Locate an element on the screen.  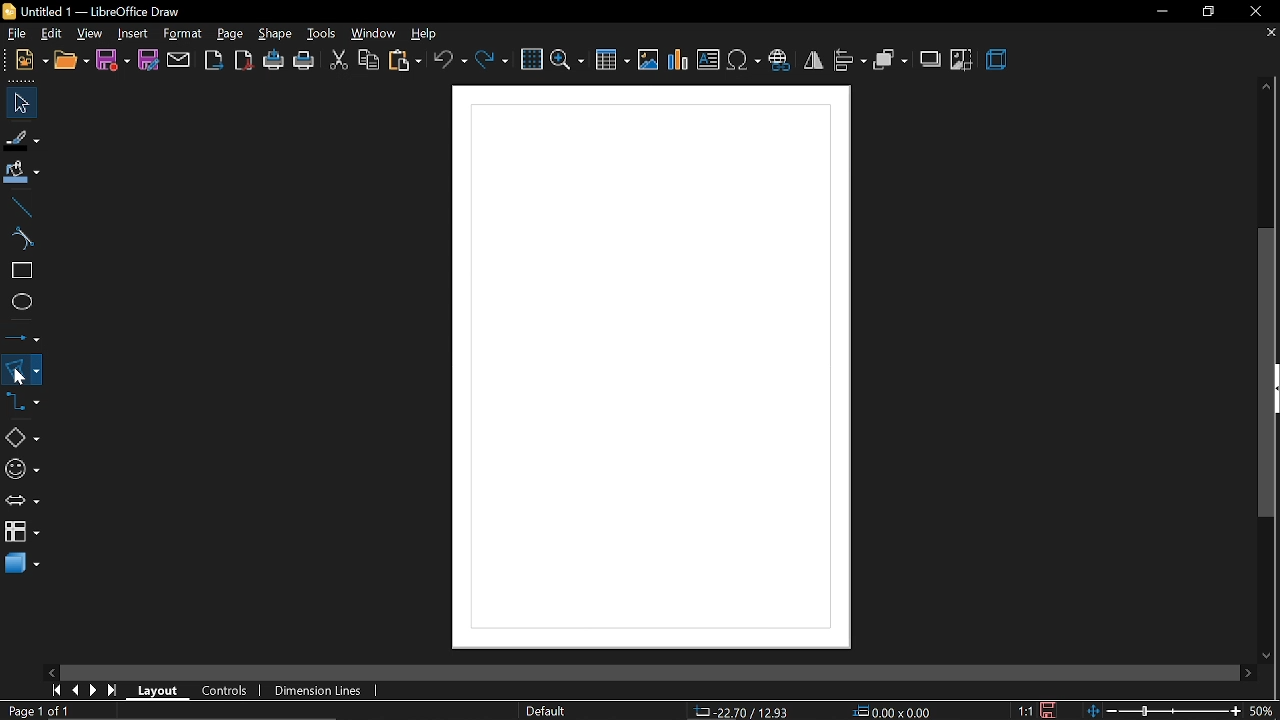
scaling factor is located at coordinates (1030, 710).